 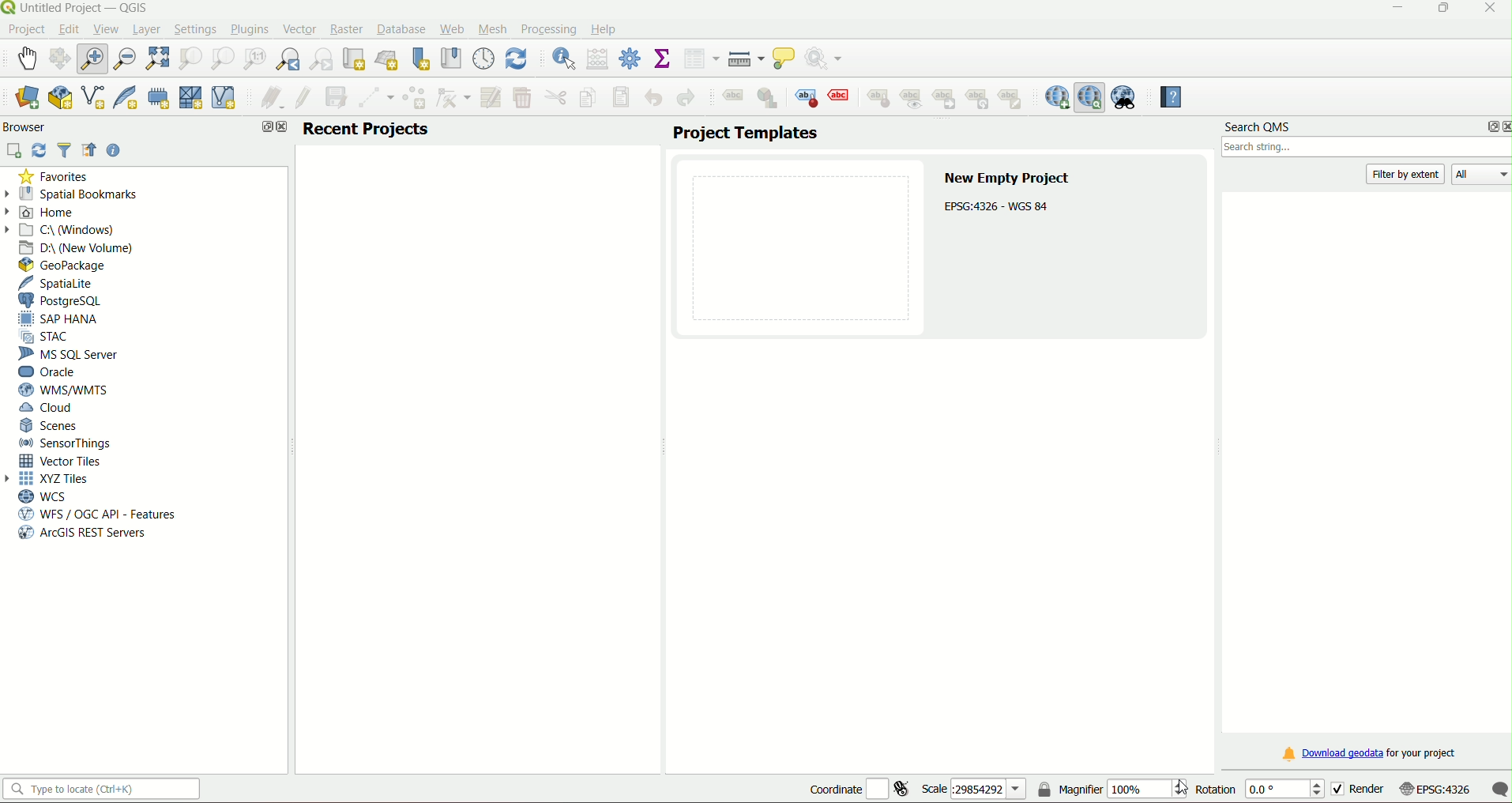 What do you see at coordinates (947, 100) in the screenshot?
I see `move label` at bounding box center [947, 100].